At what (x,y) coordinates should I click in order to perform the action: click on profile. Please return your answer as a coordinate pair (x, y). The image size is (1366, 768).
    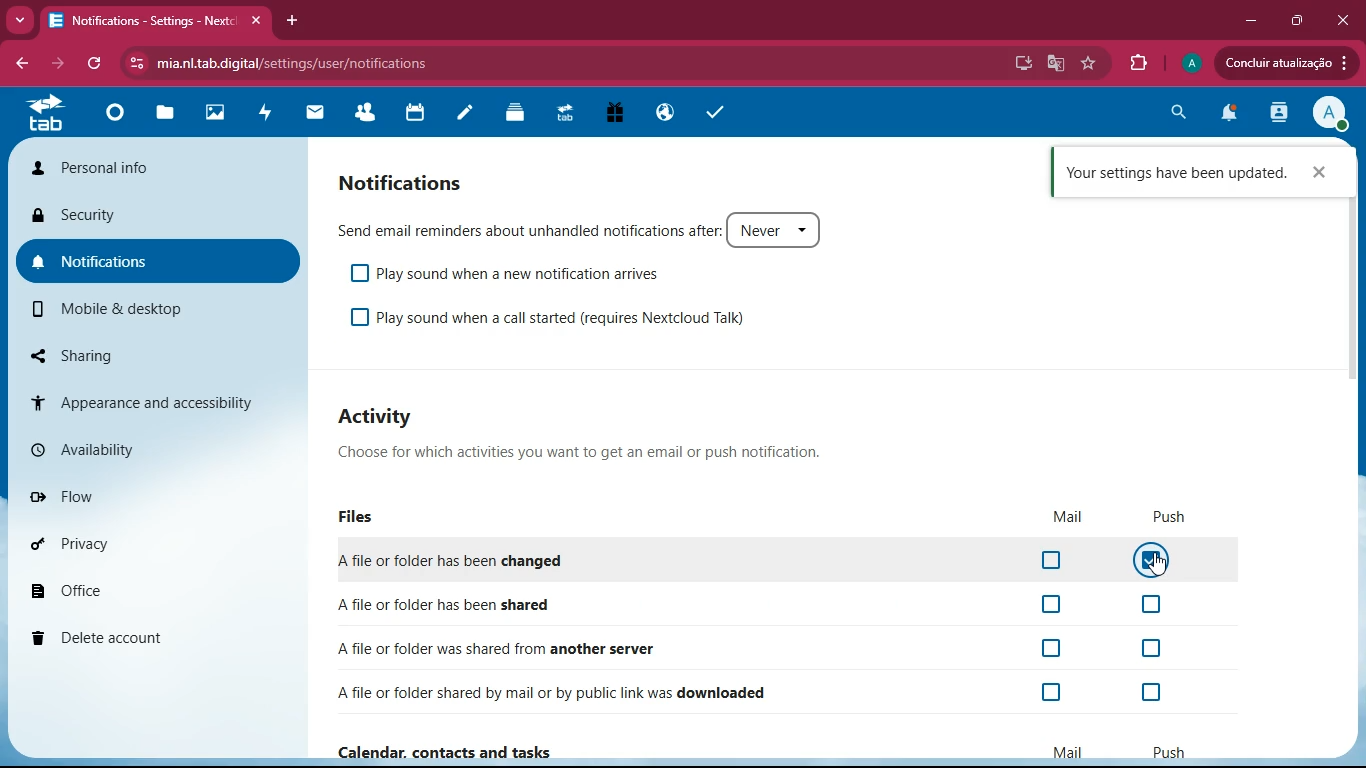
    Looking at the image, I should click on (1192, 63).